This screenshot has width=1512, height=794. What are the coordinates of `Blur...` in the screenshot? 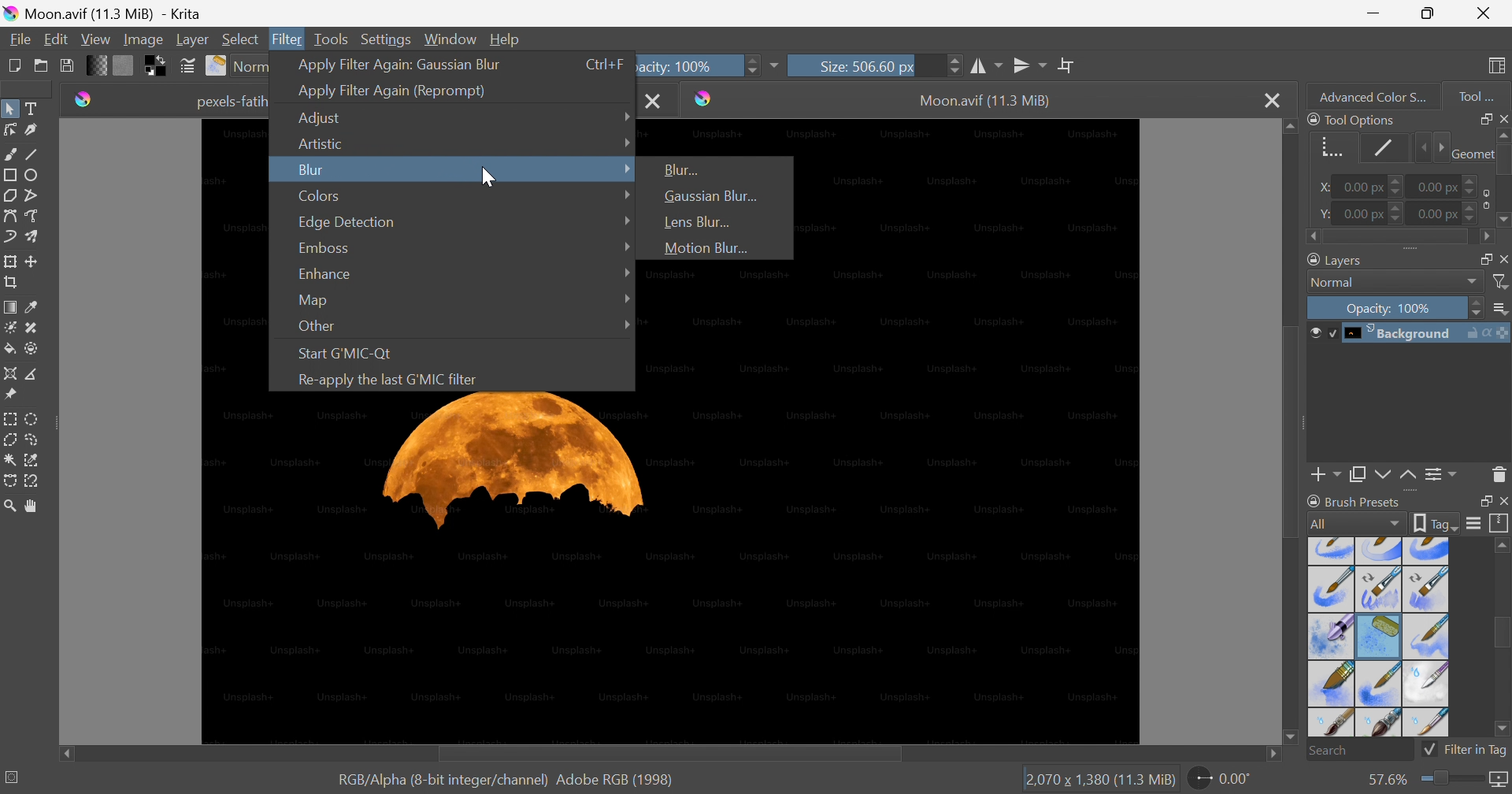 It's located at (676, 169).